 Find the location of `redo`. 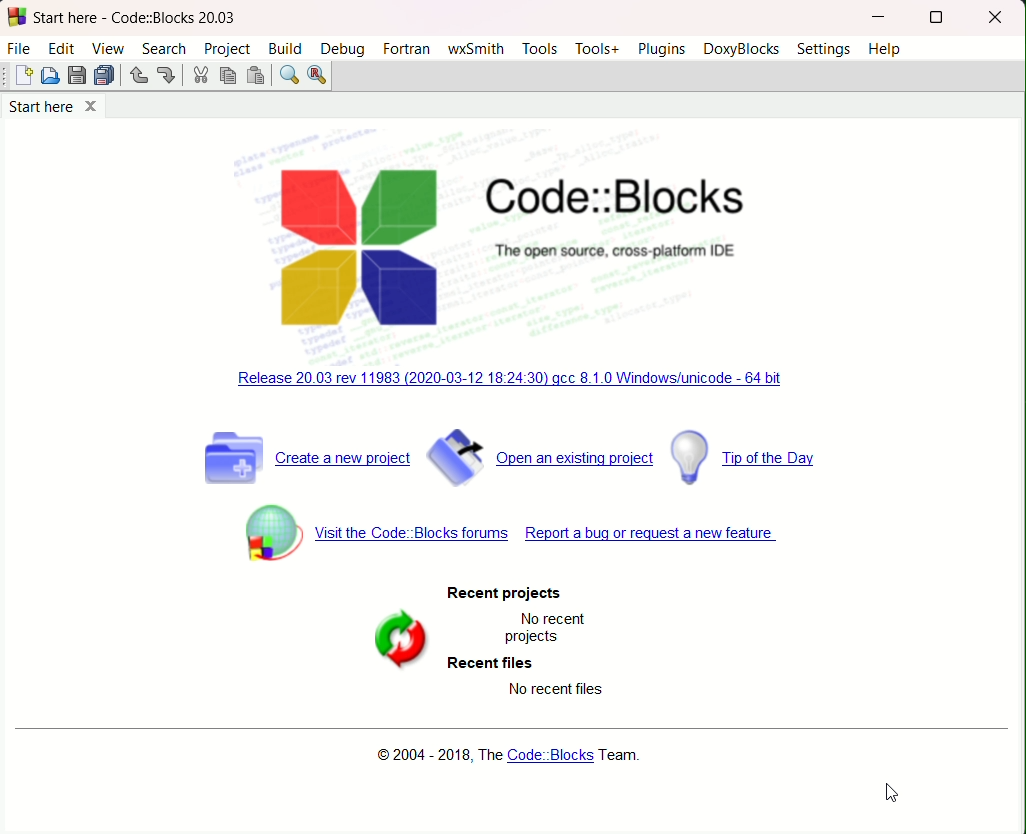

redo is located at coordinates (168, 76).